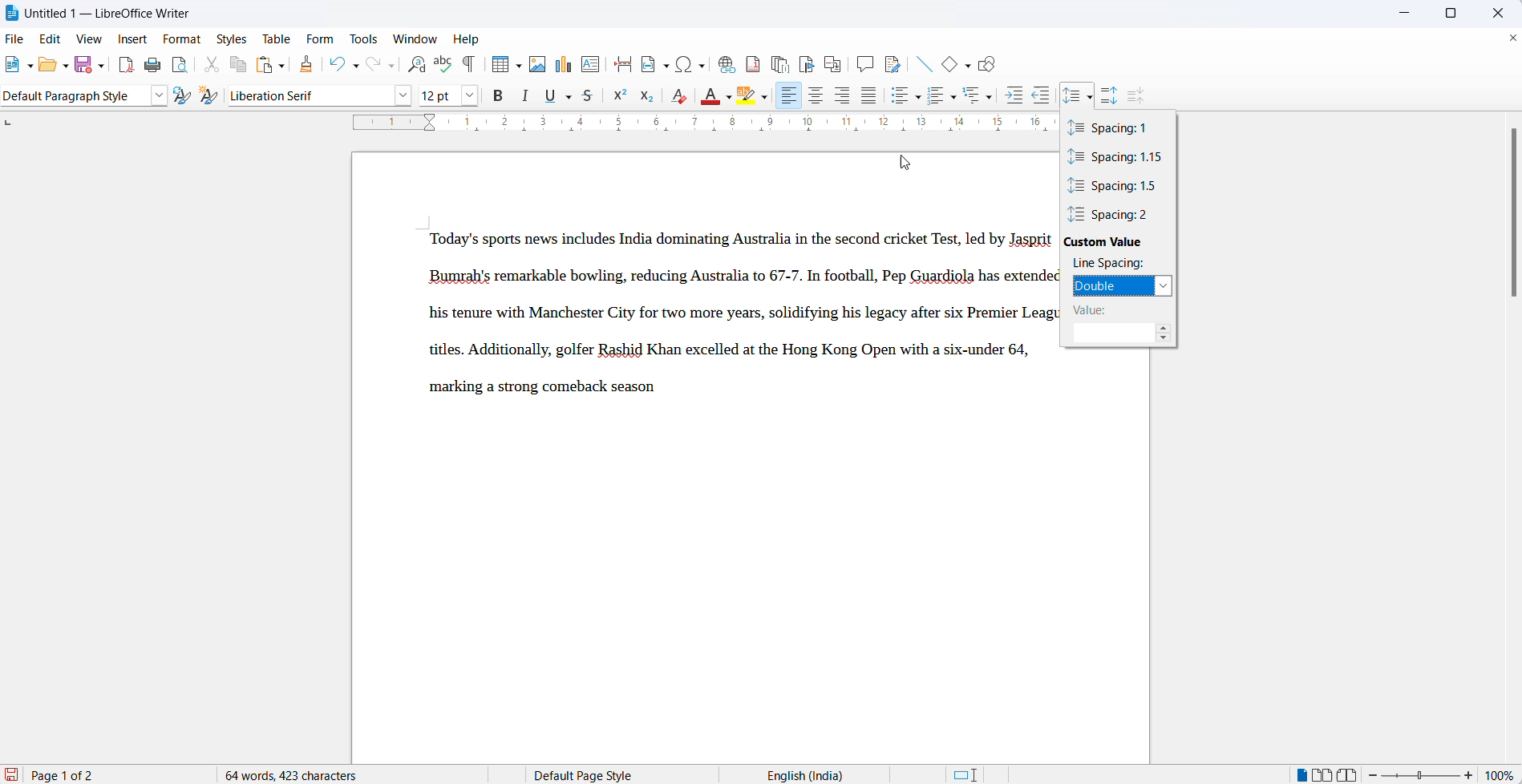 This screenshot has width=1522, height=784. I want to click on text language, so click(804, 774).